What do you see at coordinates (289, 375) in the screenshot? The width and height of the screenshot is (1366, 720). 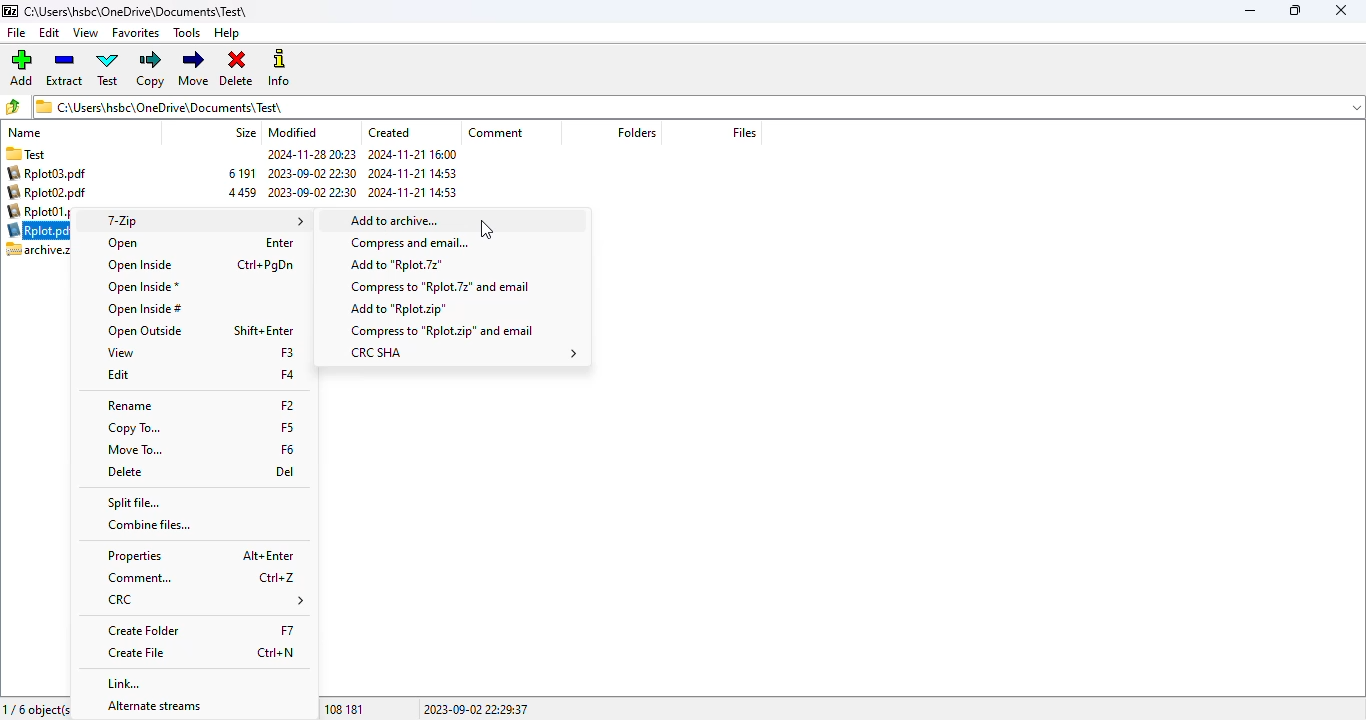 I see `shortcut for edit` at bounding box center [289, 375].